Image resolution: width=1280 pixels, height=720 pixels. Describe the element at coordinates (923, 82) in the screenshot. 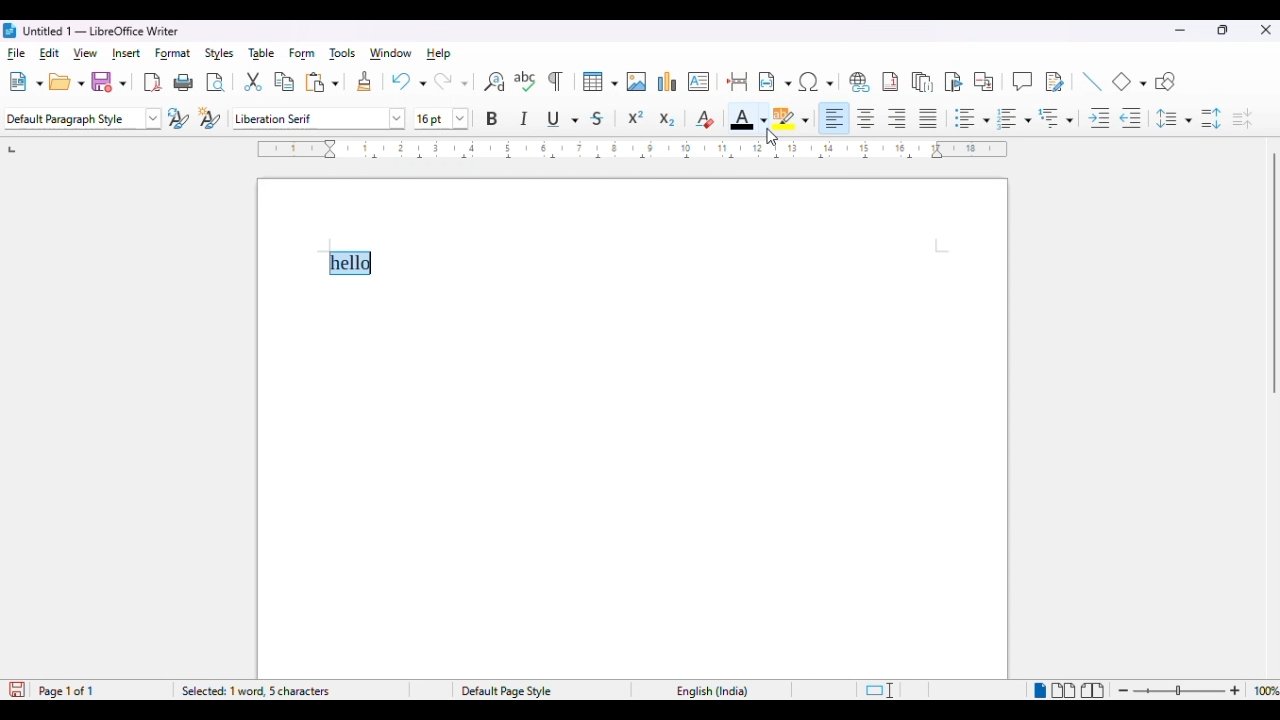

I see `insert endnote` at that location.